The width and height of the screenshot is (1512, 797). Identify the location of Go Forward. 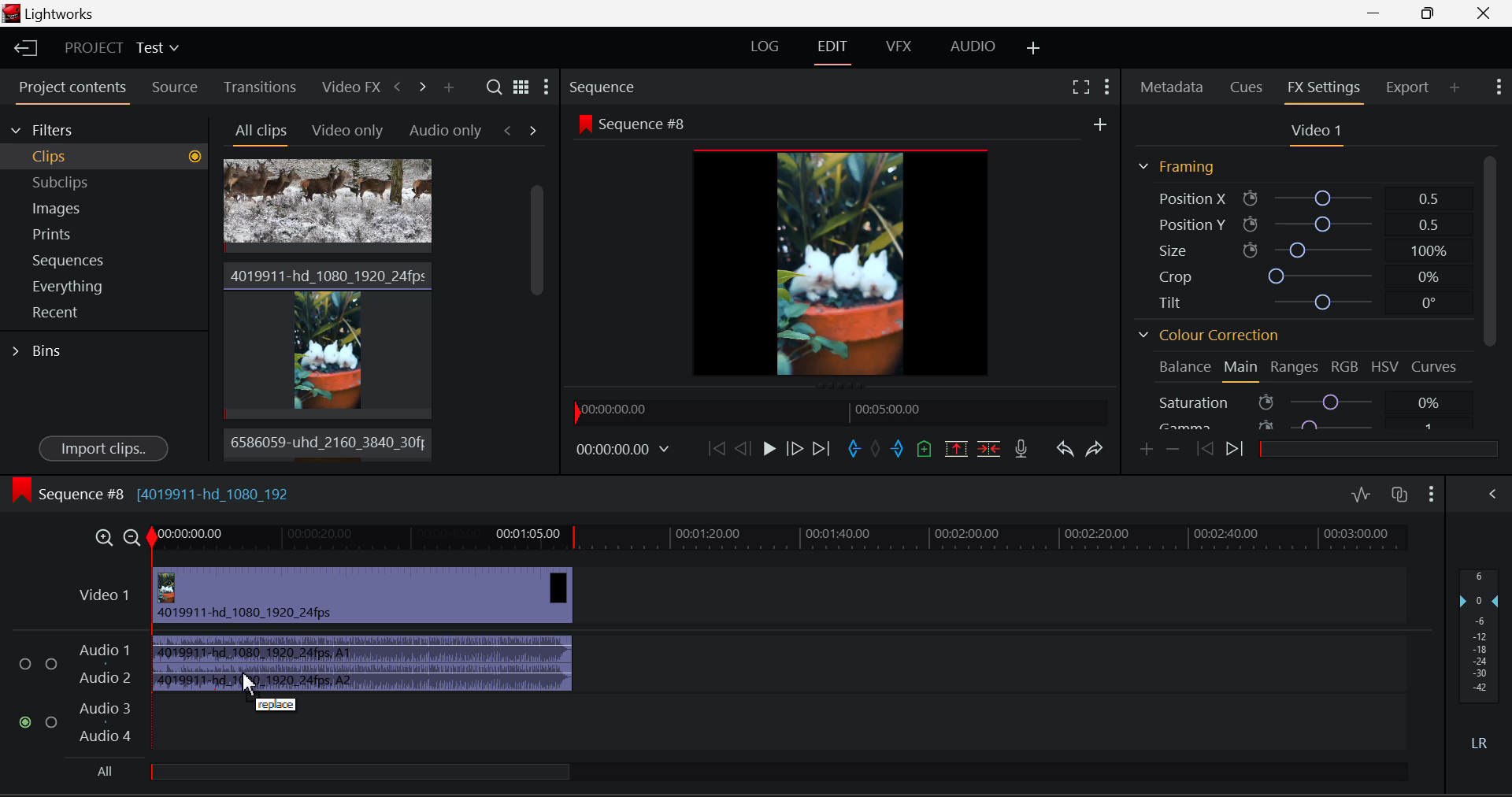
(795, 450).